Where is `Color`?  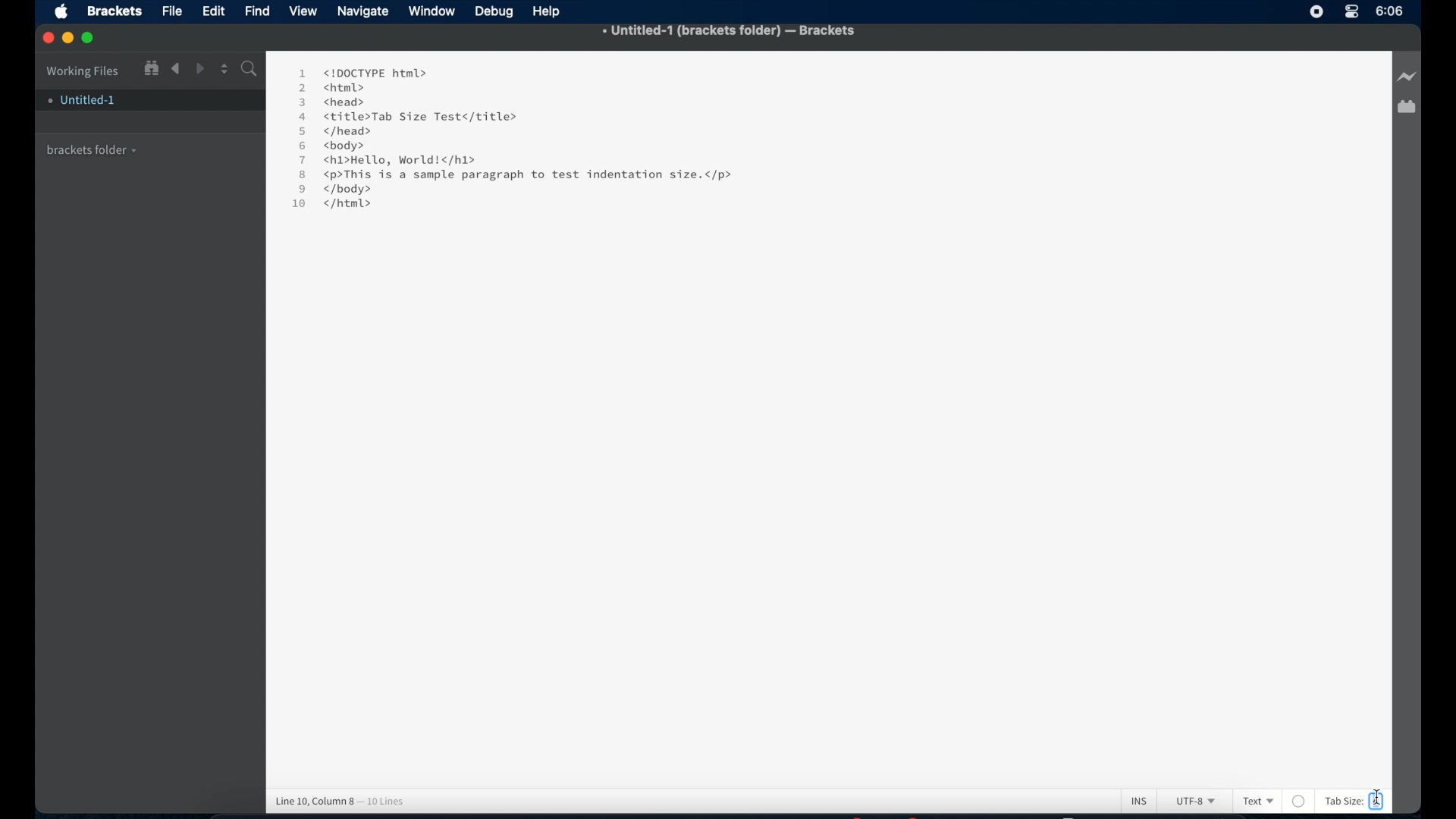
Color is located at coordinates (1305, 801).